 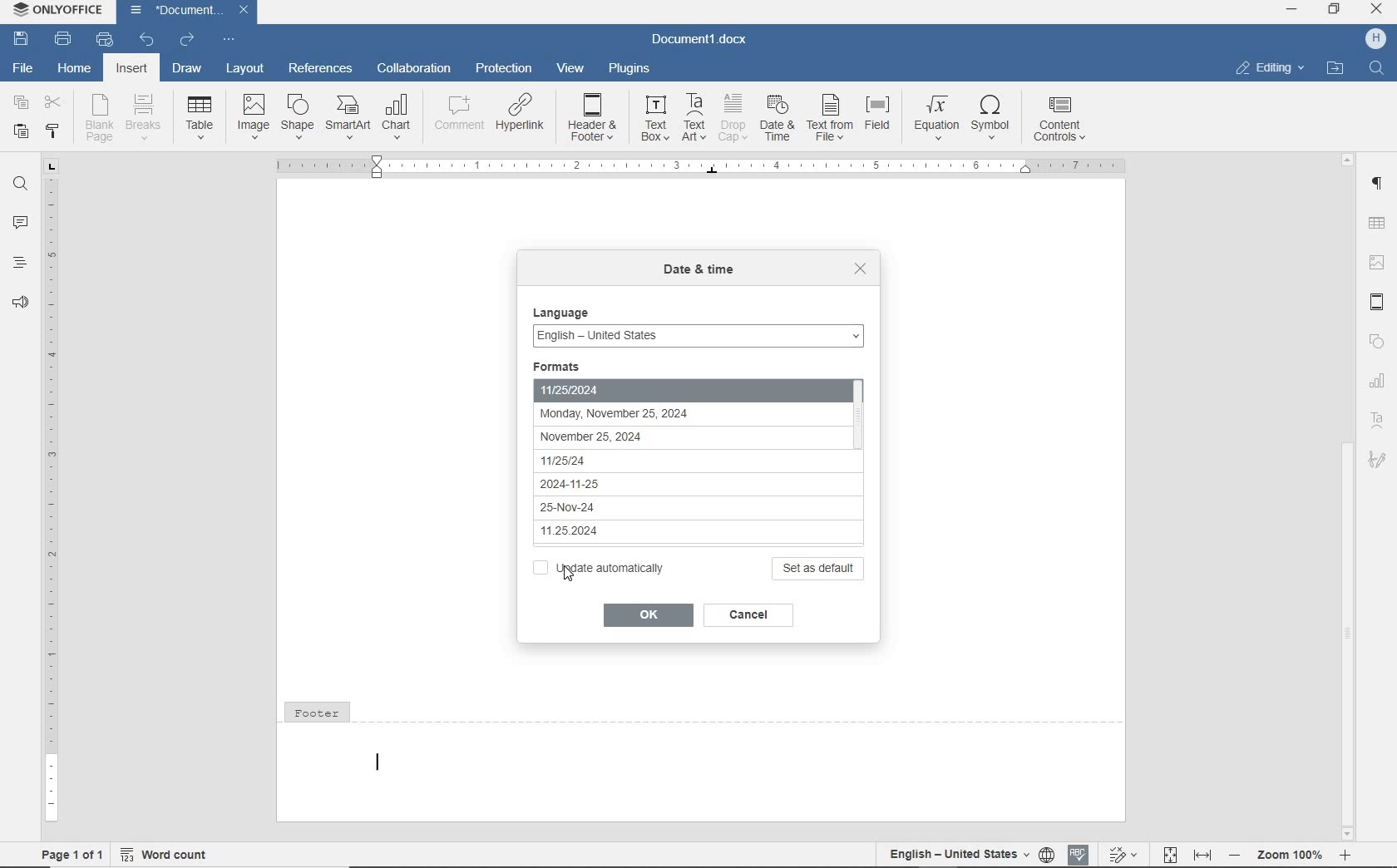 I want to click on cancel, so click(x=752, y=616).